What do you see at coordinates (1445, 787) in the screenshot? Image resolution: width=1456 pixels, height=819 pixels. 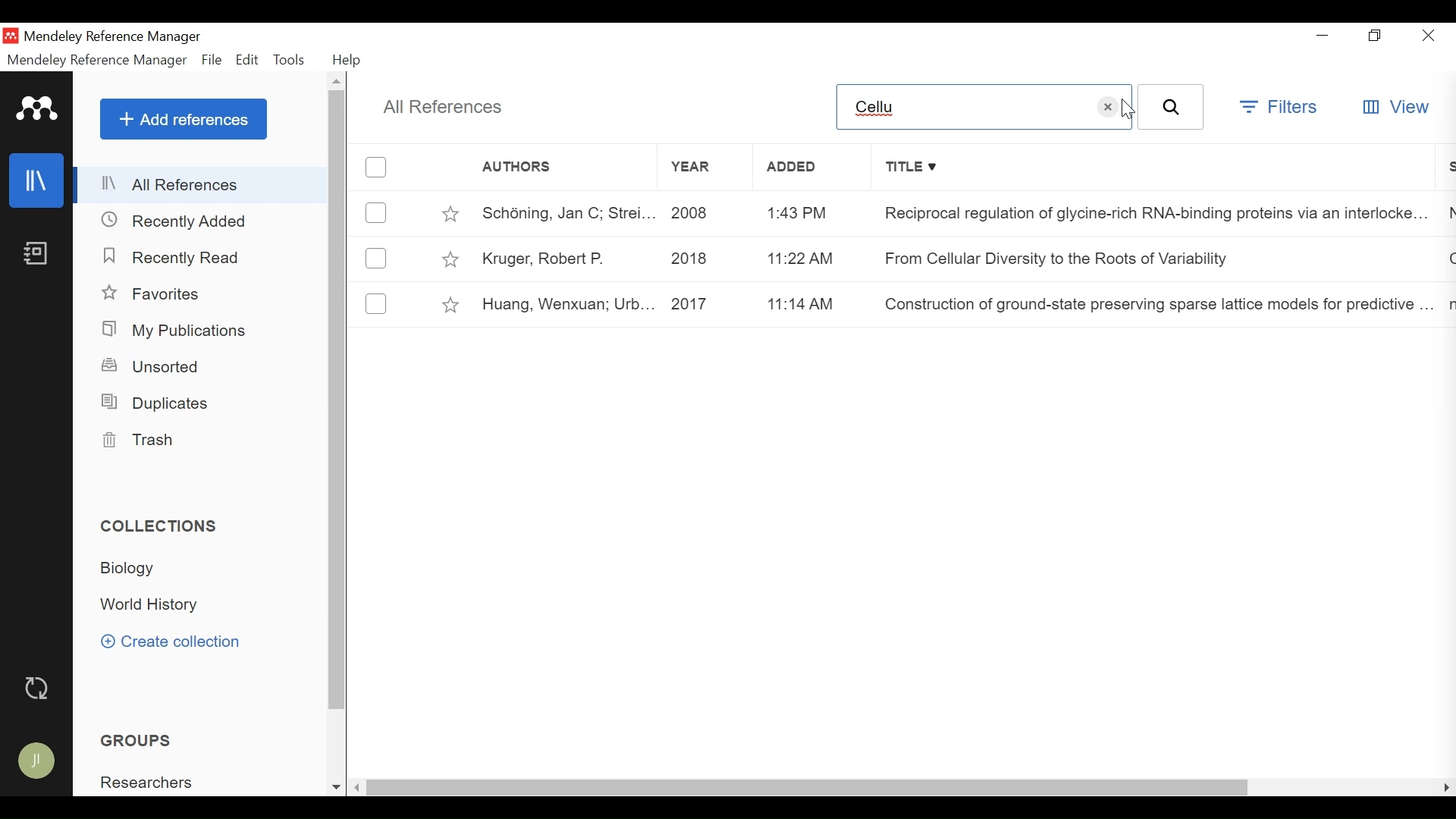 I see `Scroll Right` at bounding box center [1445, 787].